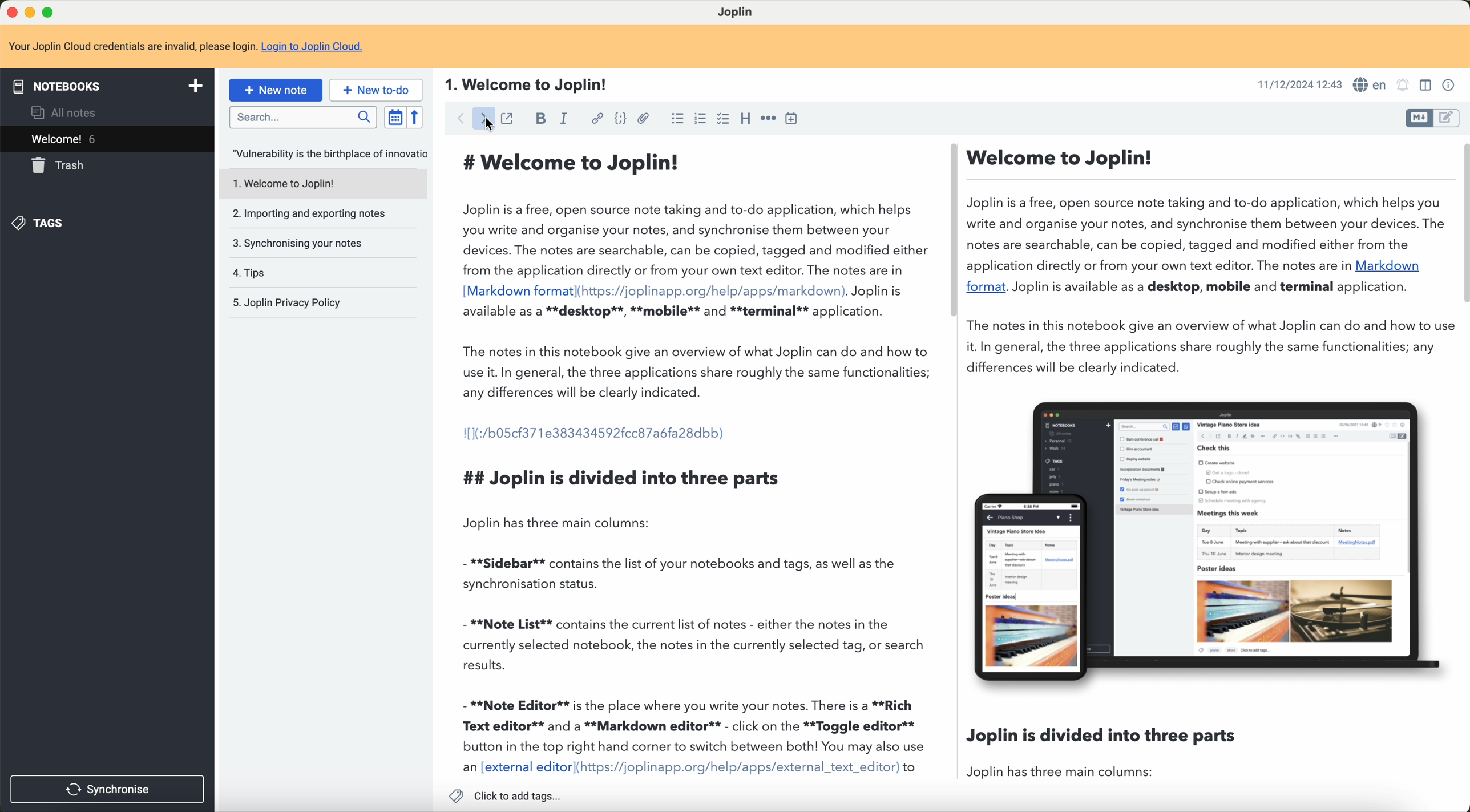 This screenshot has width=1470, height=812. Describe the element at coordinates (1461, 225) in the screenshot. I see `scroll bar` at that location.